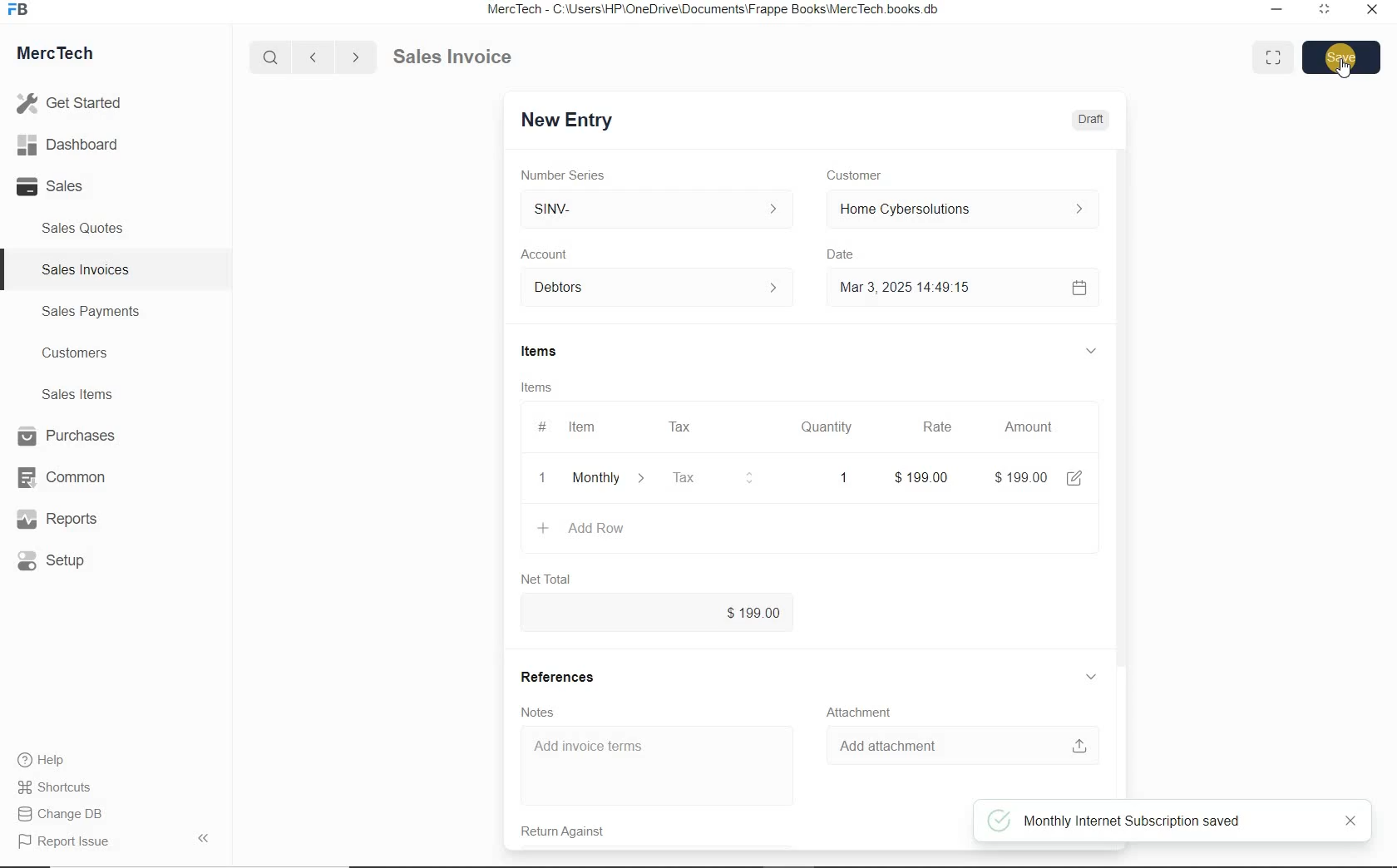 This screenshot has width=1397, height=868. Describe the element at coordinates (63, 57) in the screenshot. I see `MercTech` at that location.